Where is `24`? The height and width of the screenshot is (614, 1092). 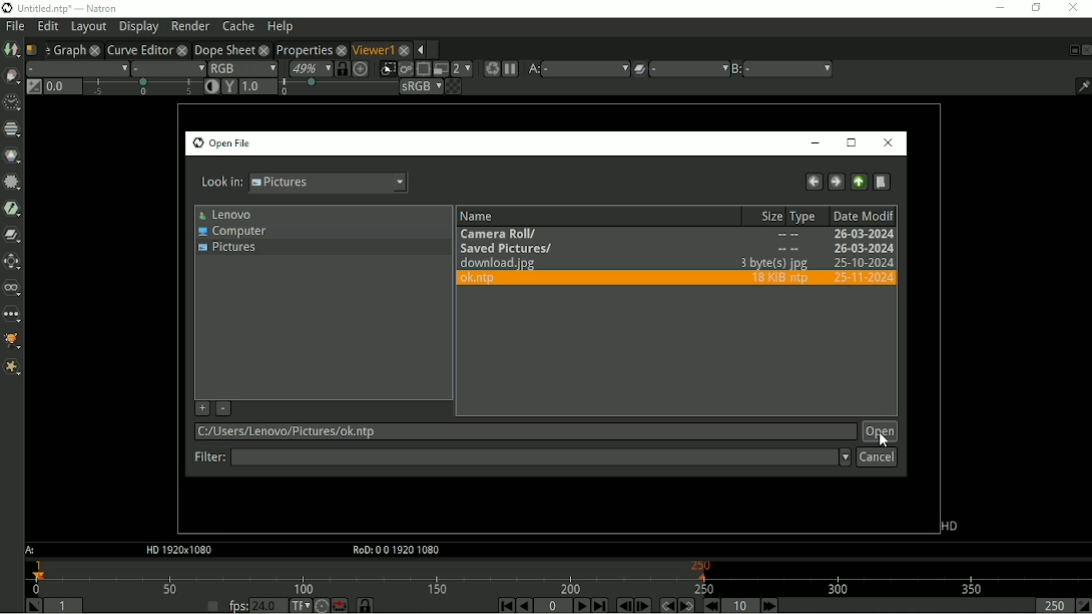 24 is located at coordinates (268, 605).